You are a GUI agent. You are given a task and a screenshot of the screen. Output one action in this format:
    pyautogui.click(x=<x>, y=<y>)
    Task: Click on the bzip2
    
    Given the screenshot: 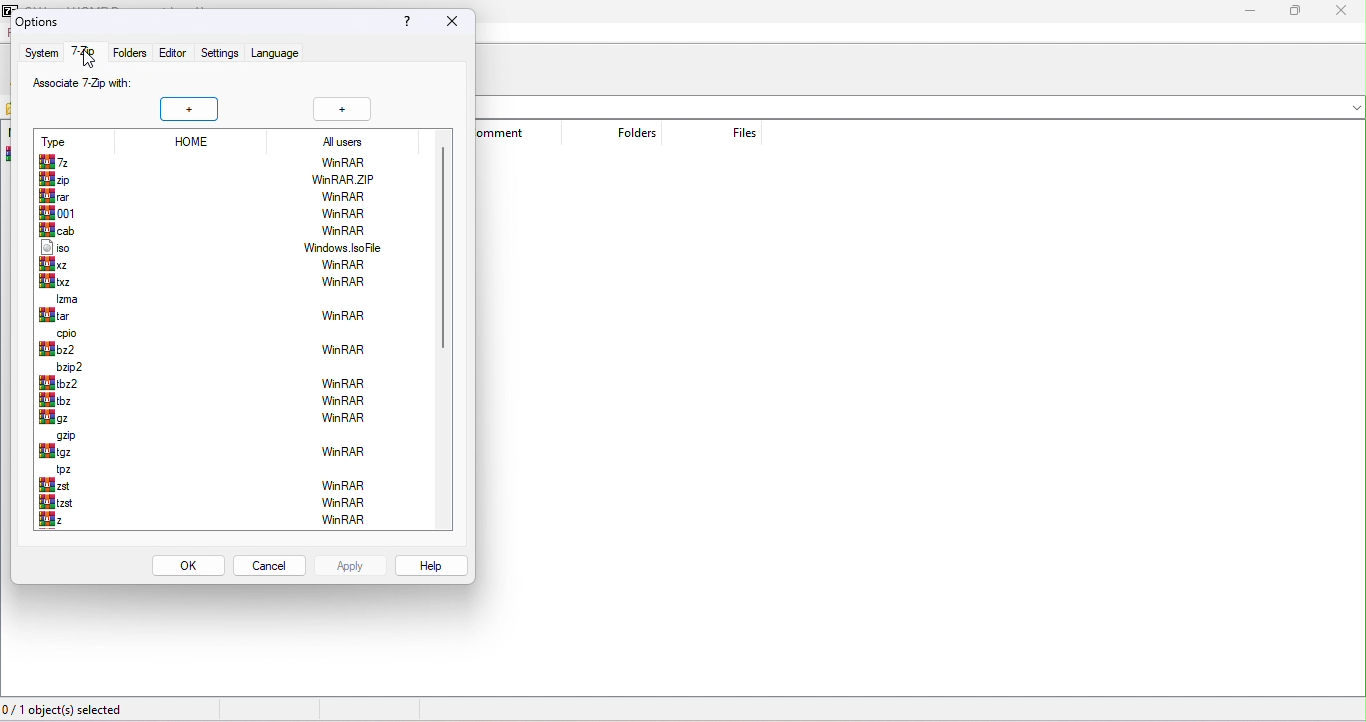 What is the action you would take?
    pyautogui.click(x=67, y=366)
    